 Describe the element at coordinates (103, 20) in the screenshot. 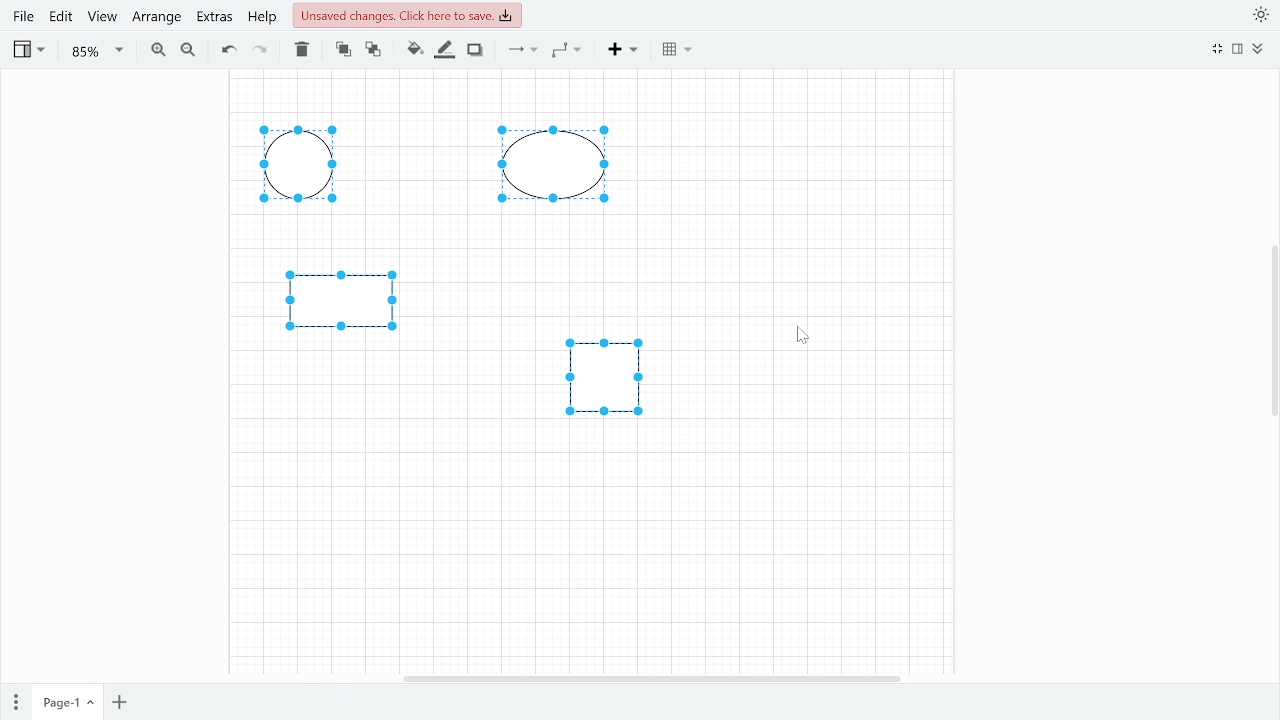

I see `View` at that location.